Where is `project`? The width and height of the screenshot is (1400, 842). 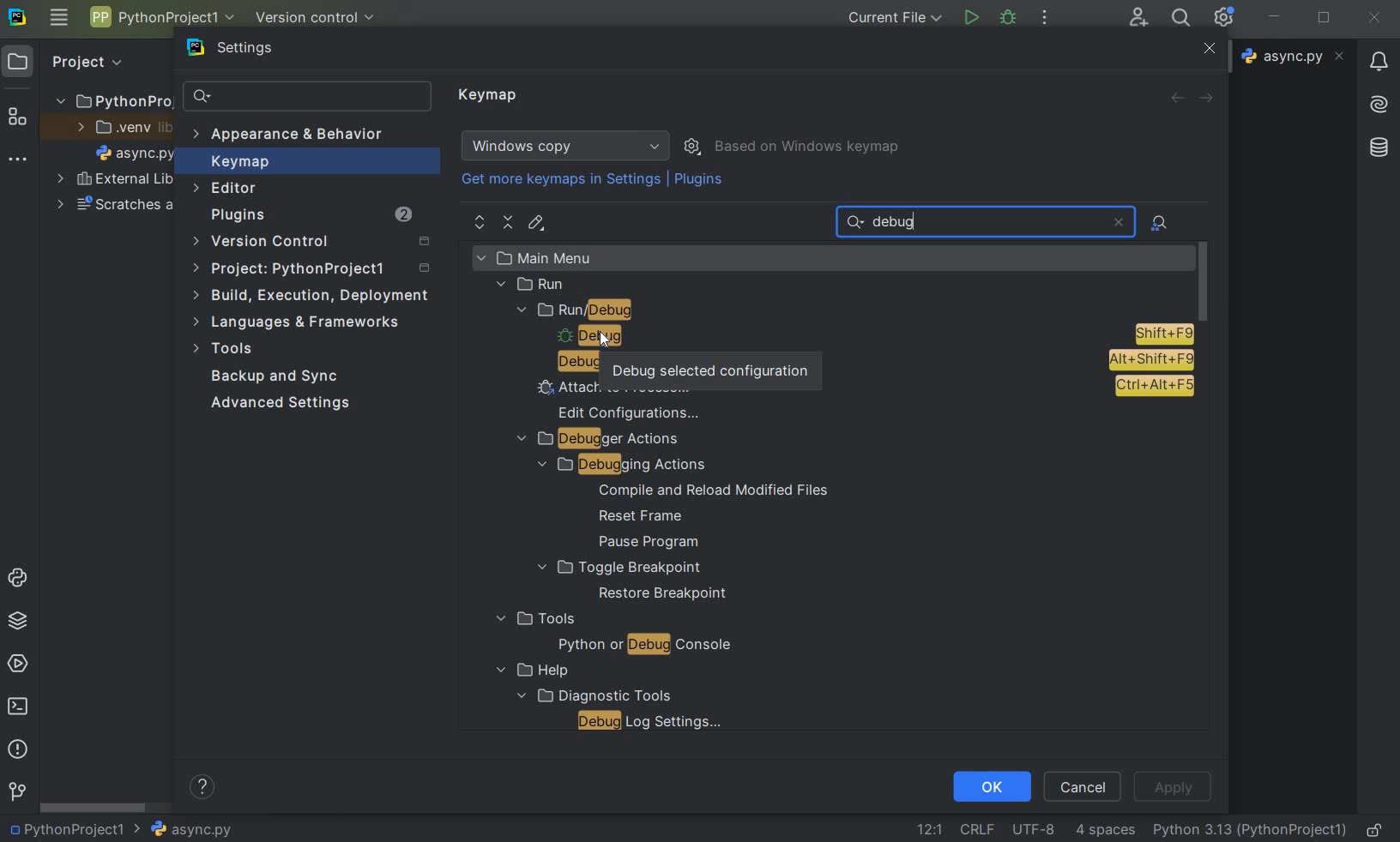 project is located at coordinates (314, 271).